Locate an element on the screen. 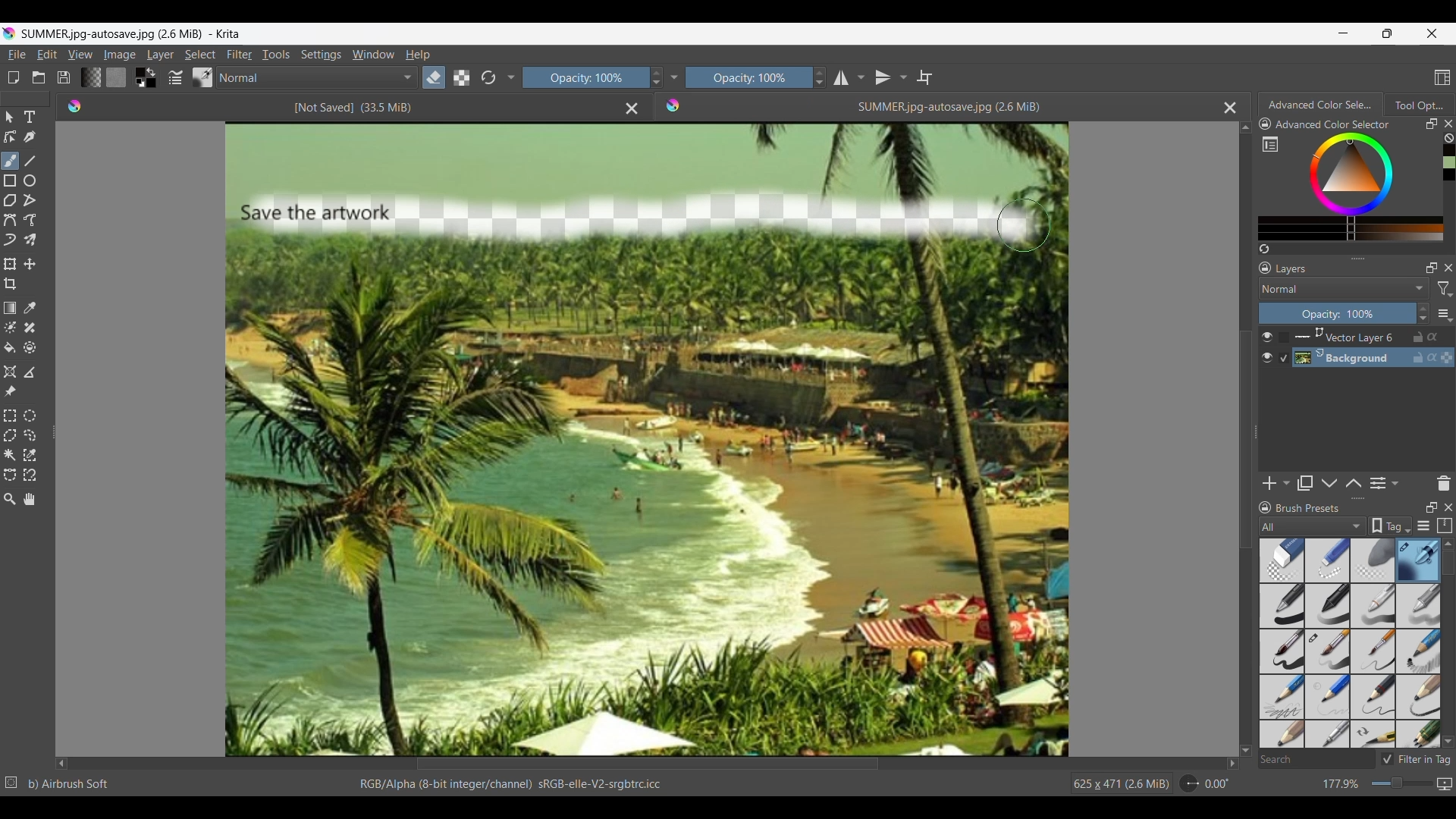 The image size is (1456, 819). [Not Saved] (33.5 MiB) is located at coordinates (352, 108).